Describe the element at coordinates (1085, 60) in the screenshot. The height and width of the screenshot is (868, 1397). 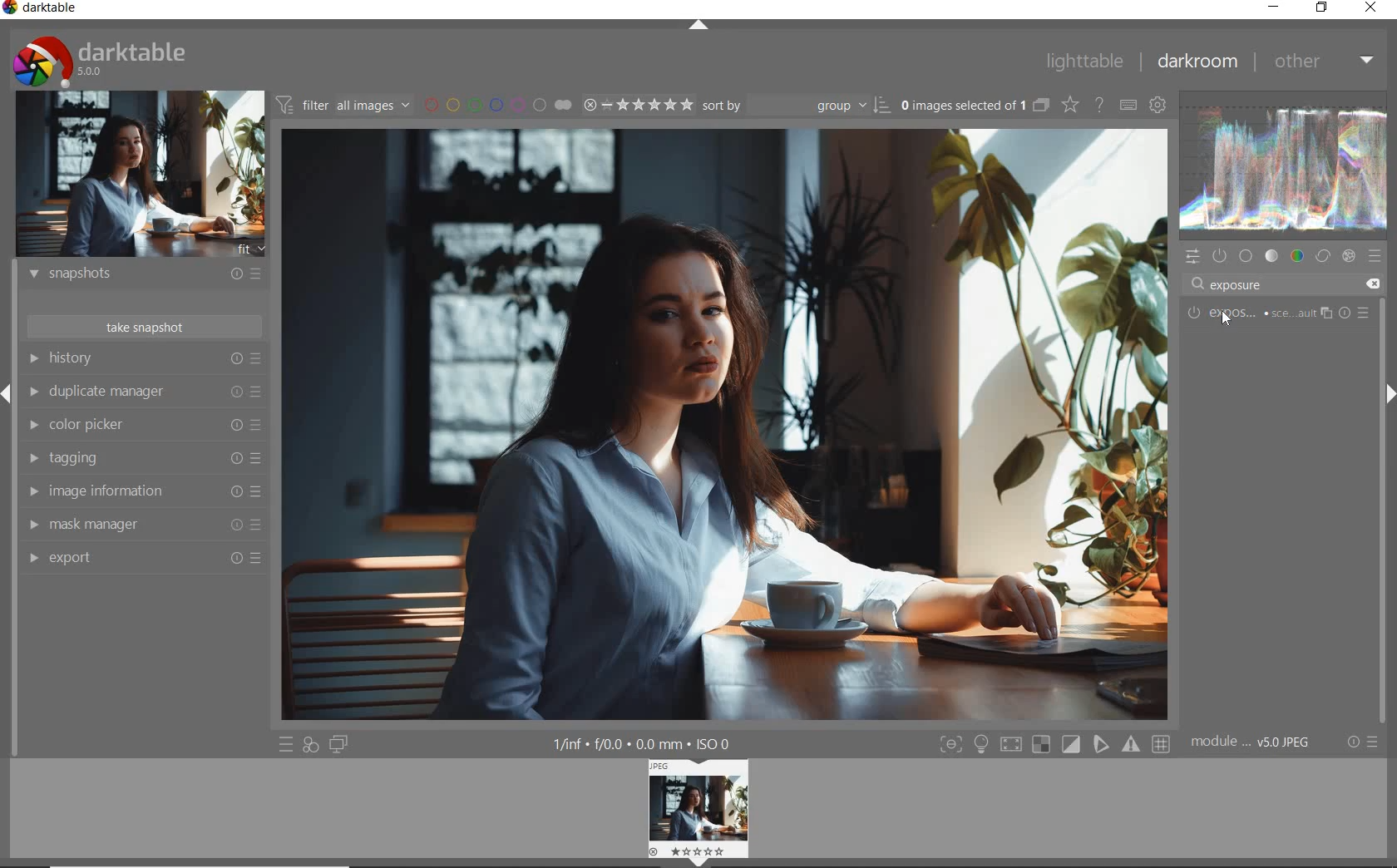
I see `lighttable` at that location.